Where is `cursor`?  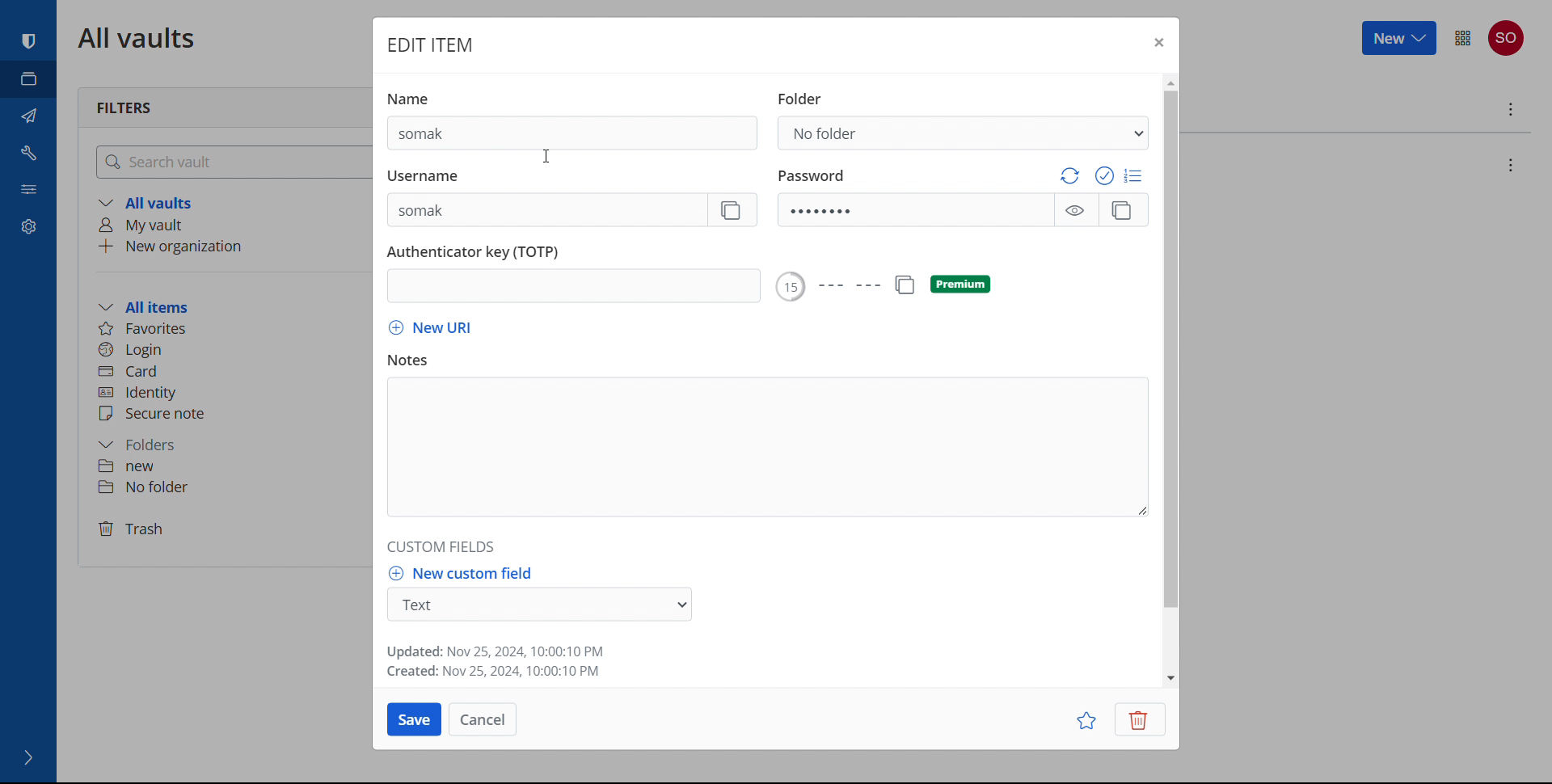
cursor is located at coordinates (546, 156).